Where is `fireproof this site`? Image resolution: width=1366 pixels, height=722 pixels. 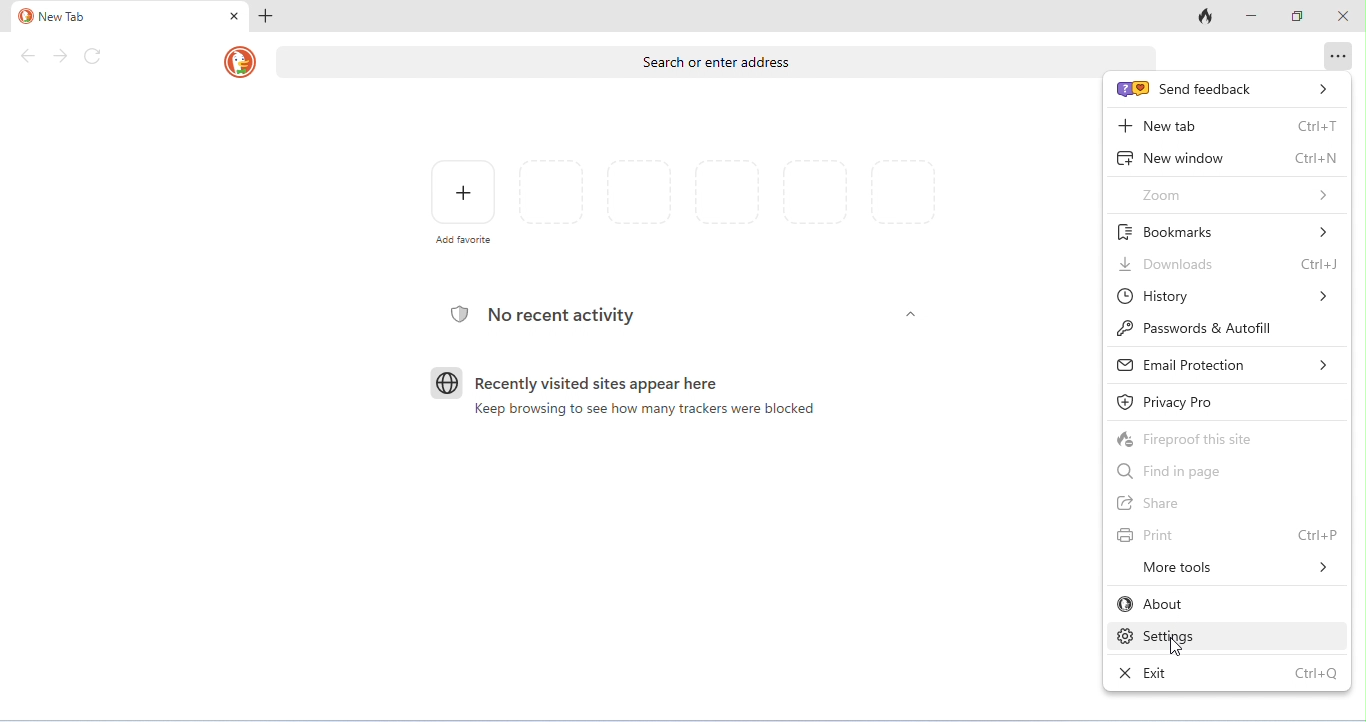 fireproof this site is located at coordinates (1228, 436).